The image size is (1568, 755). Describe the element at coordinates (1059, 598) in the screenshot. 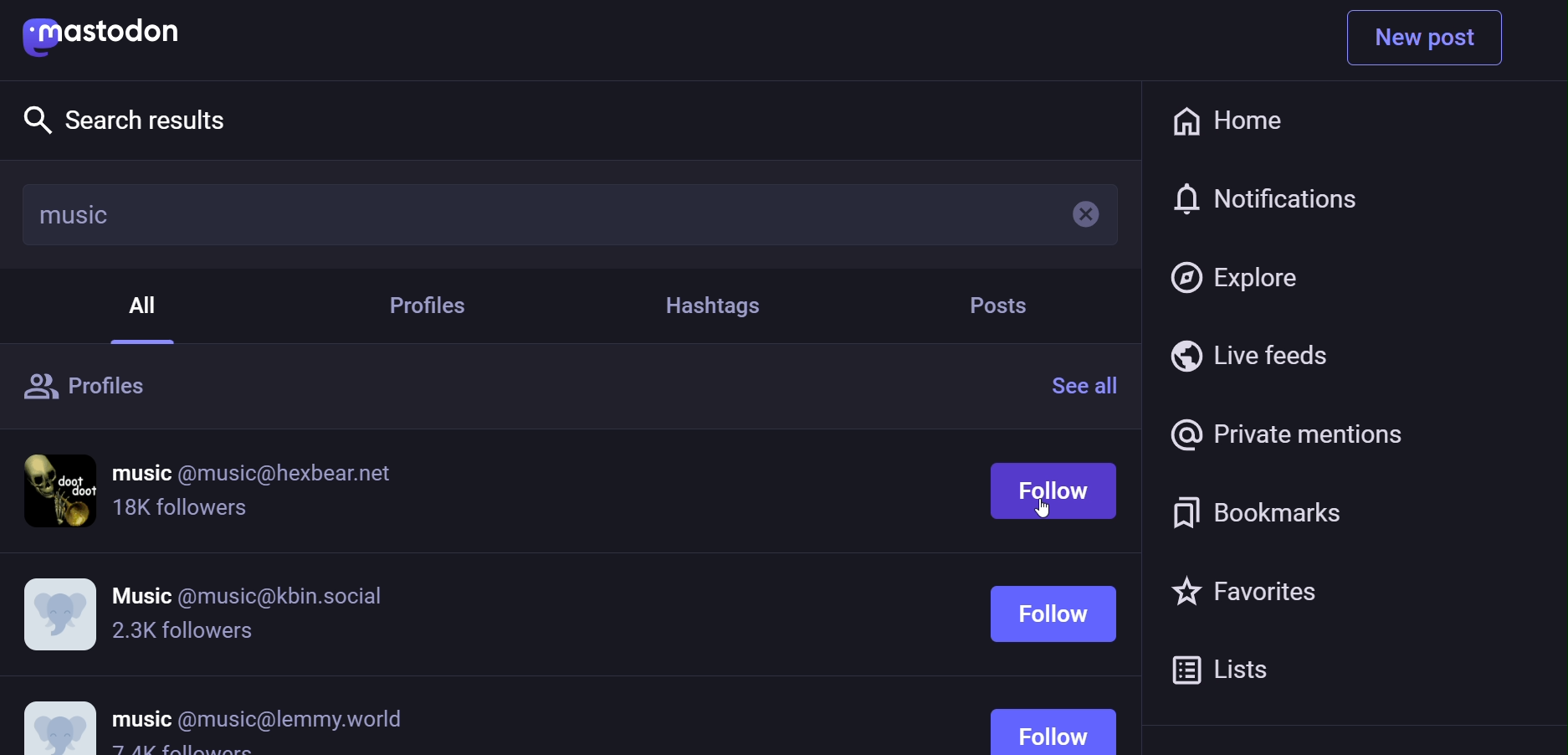

I see `follow` at that location.